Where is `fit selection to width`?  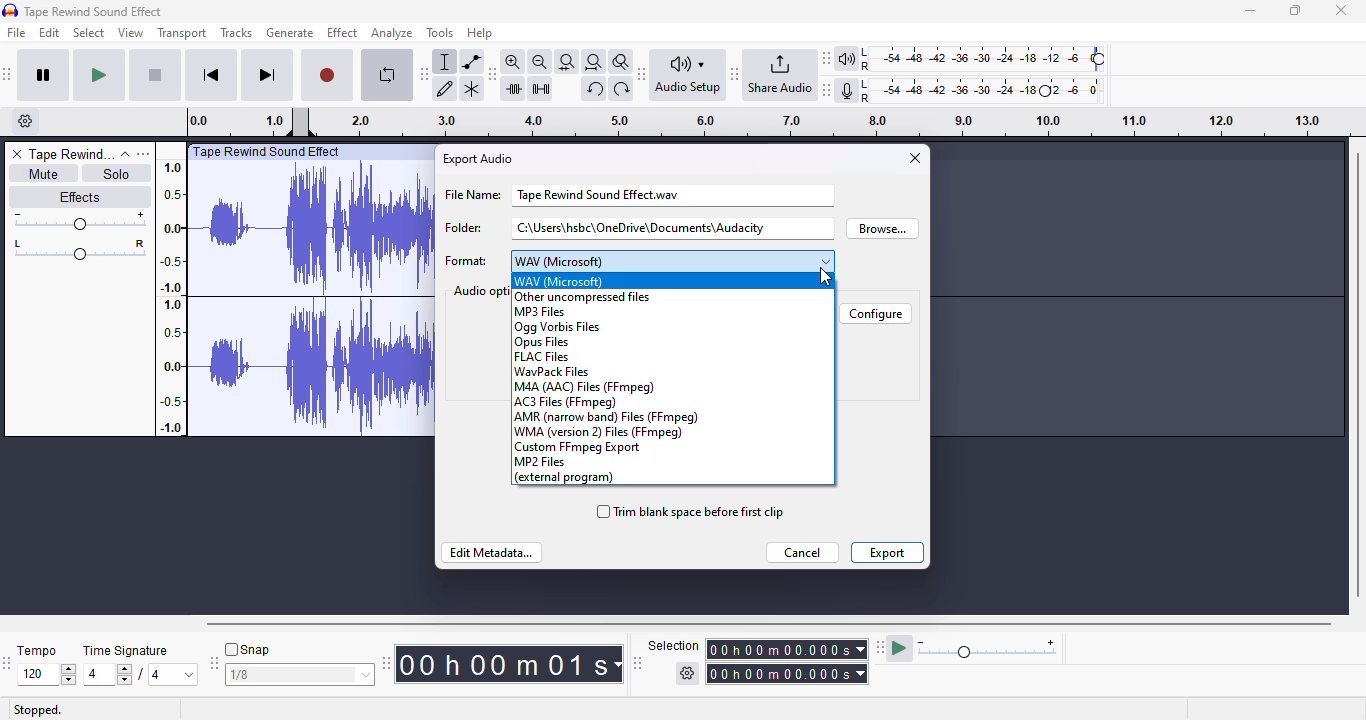
fit selection to width is located at coordinates (567, 61).